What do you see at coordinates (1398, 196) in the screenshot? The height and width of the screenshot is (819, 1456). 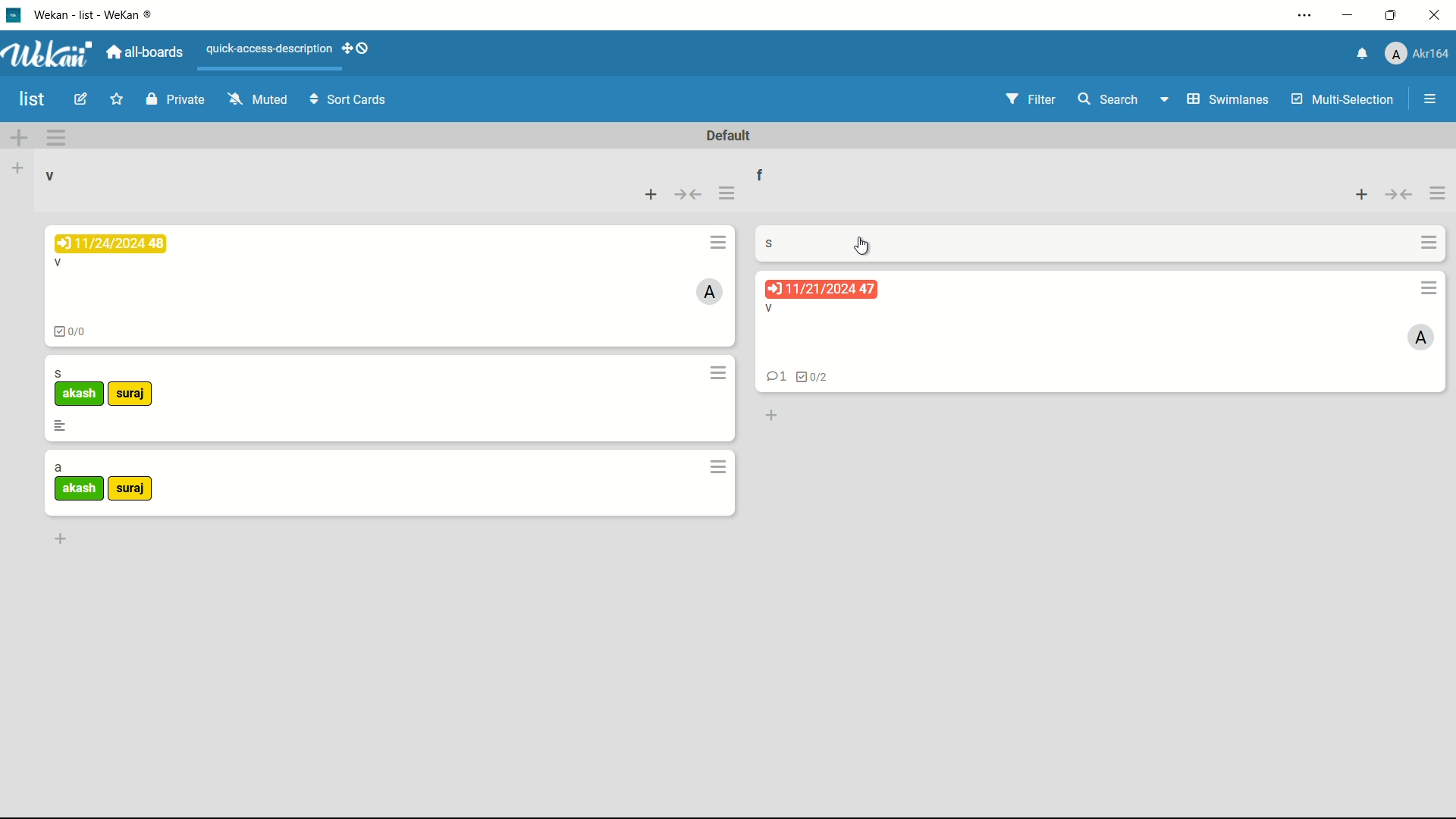 I see `collapse` at bounding box center [1398, 196].